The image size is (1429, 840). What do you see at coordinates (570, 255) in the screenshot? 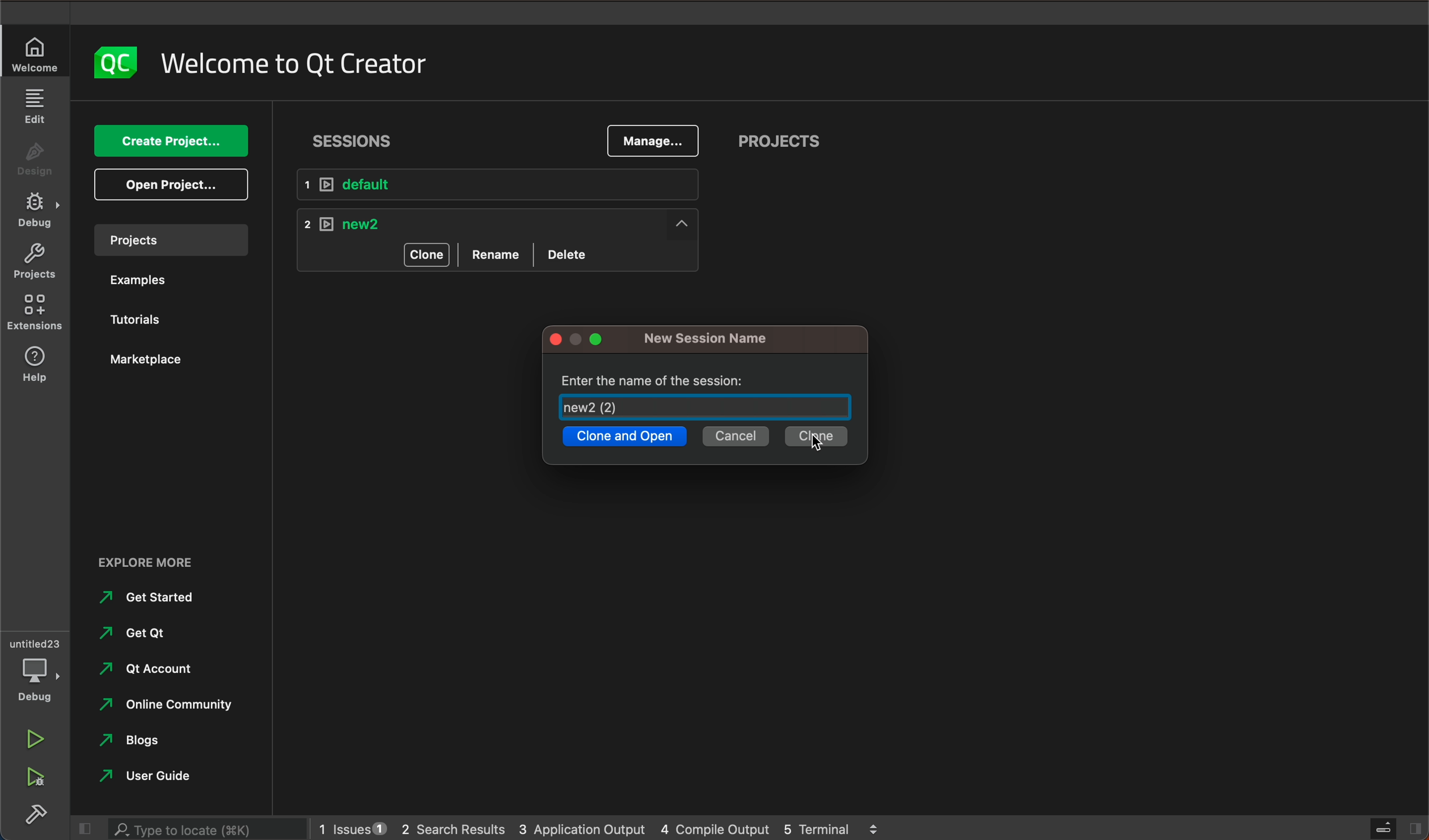
I see `delete` at bounding box center [570, 255].